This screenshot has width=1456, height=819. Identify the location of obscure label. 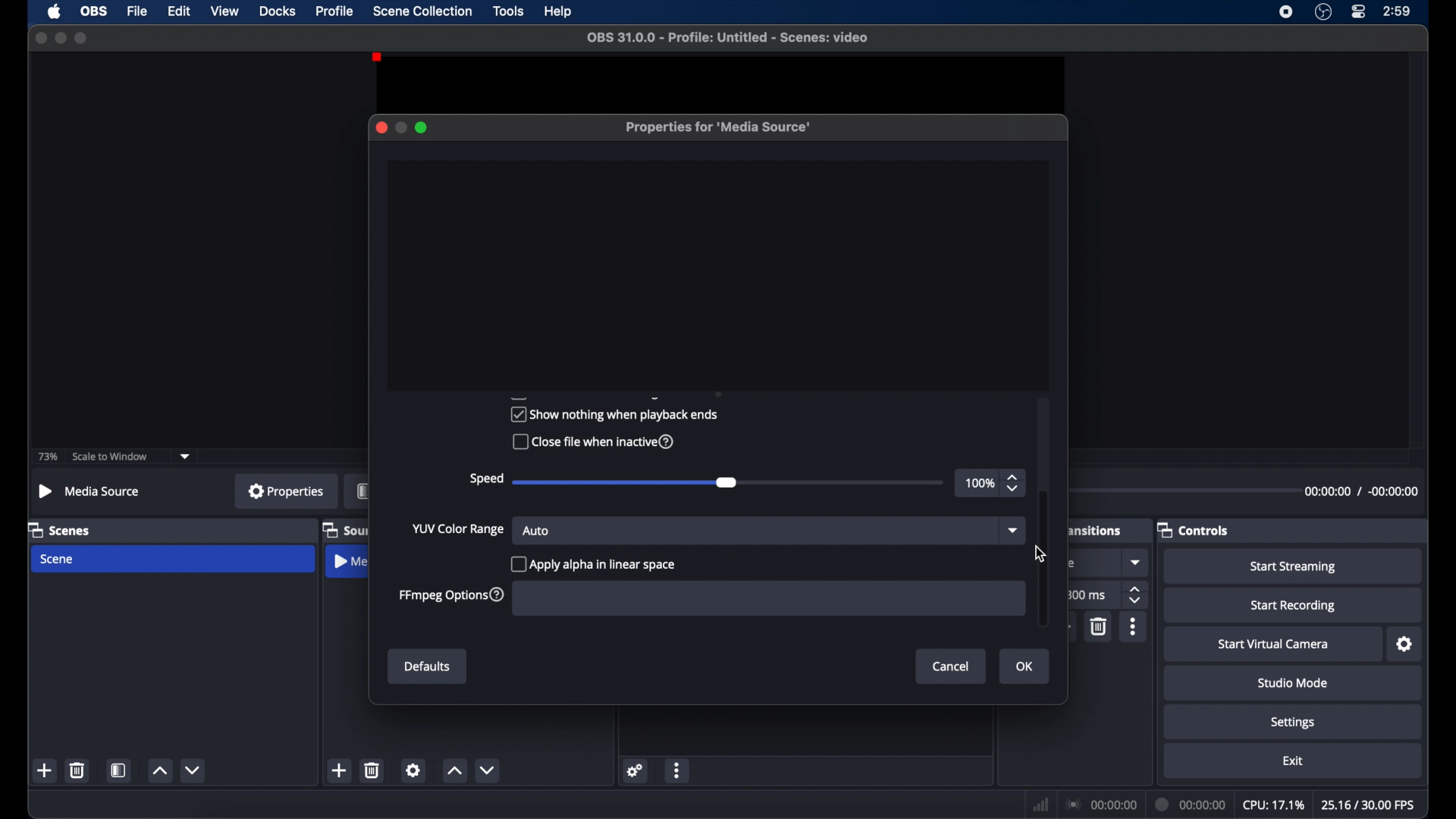
(1096, 529).